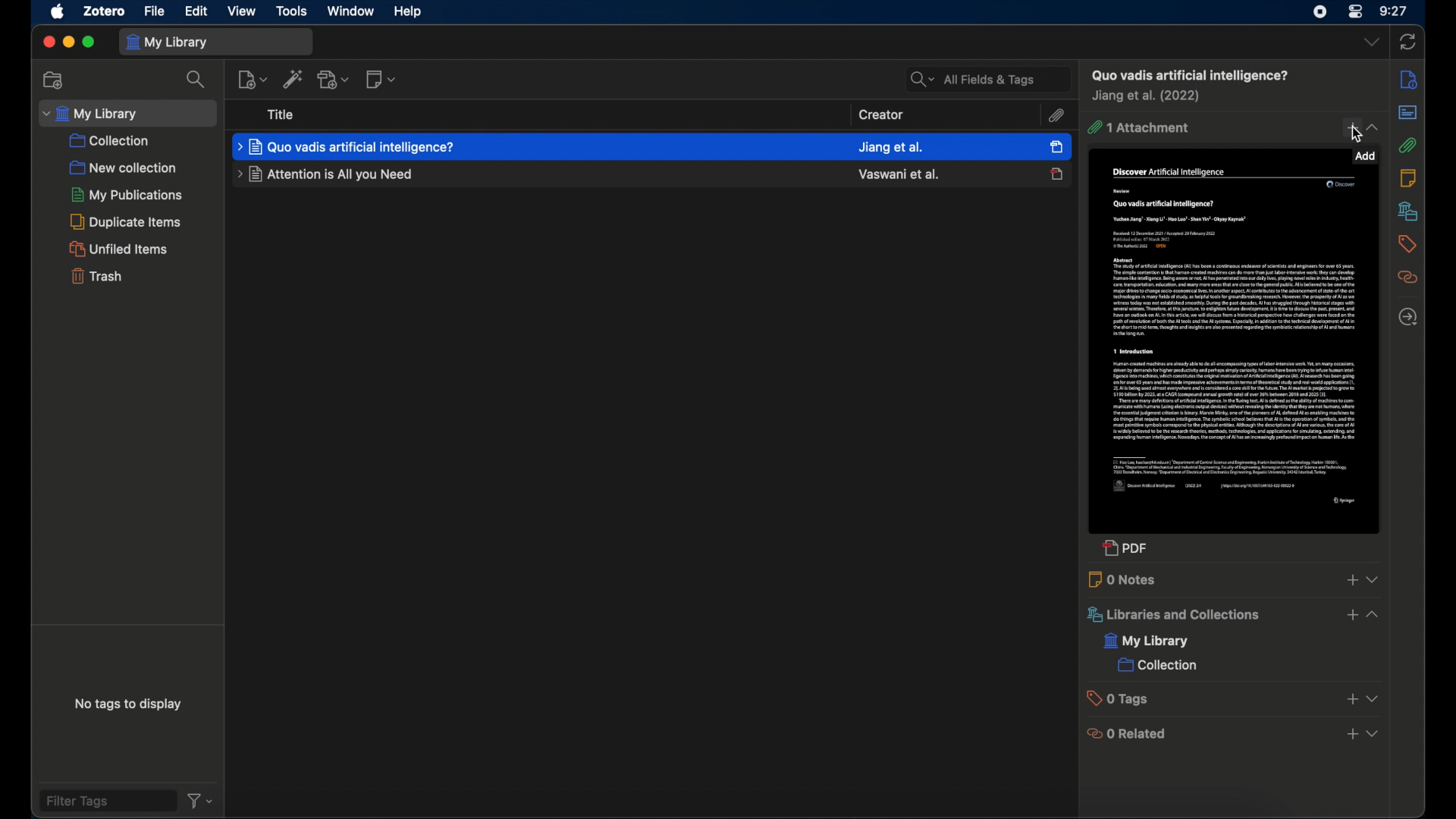 This screenshot has height=819, width=1456. What do you see at coordinates (322, 175) in the screenshot?
I see `item title` at bounding box center [322, 175].